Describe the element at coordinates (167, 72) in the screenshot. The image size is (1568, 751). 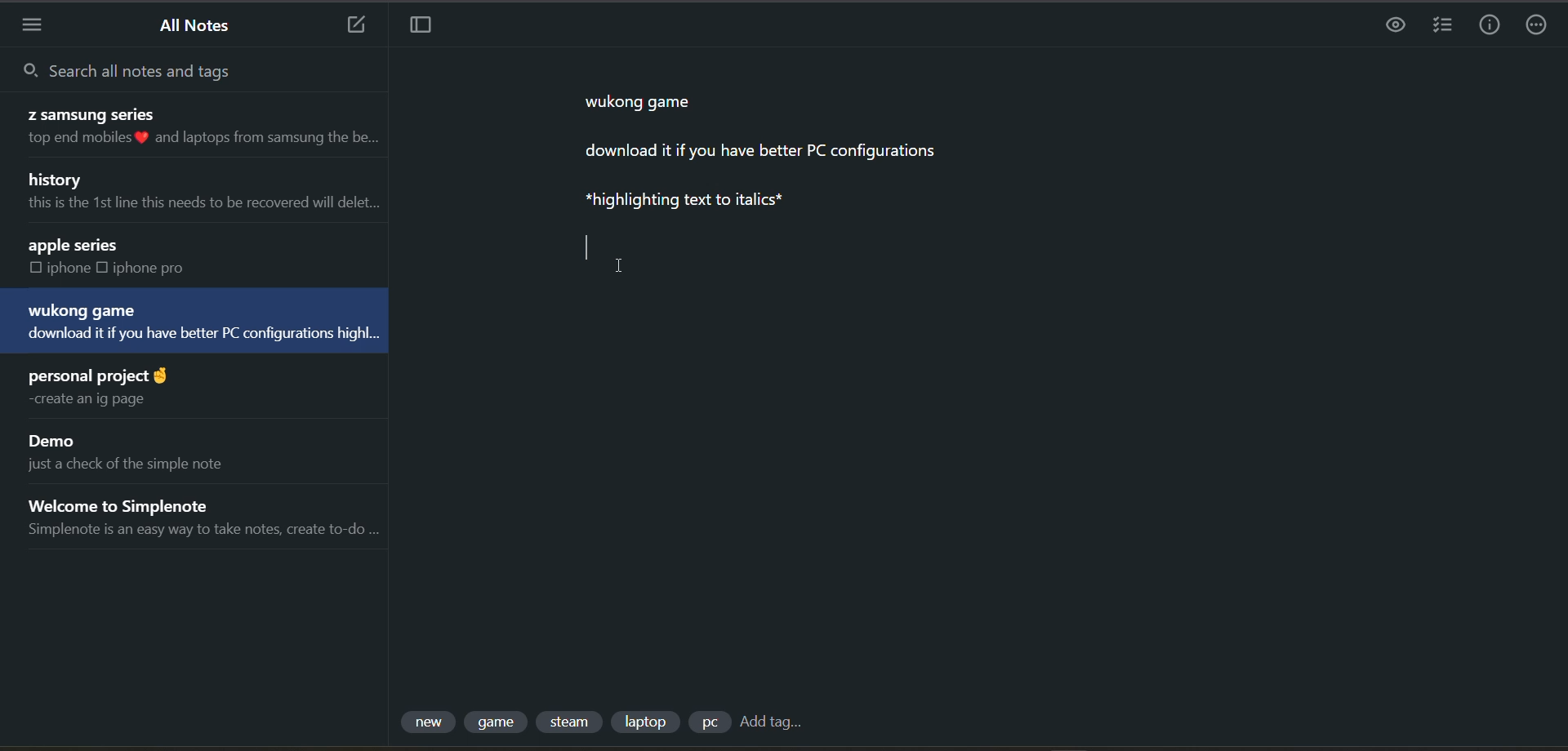
I see `search all notes and tags` at that location.